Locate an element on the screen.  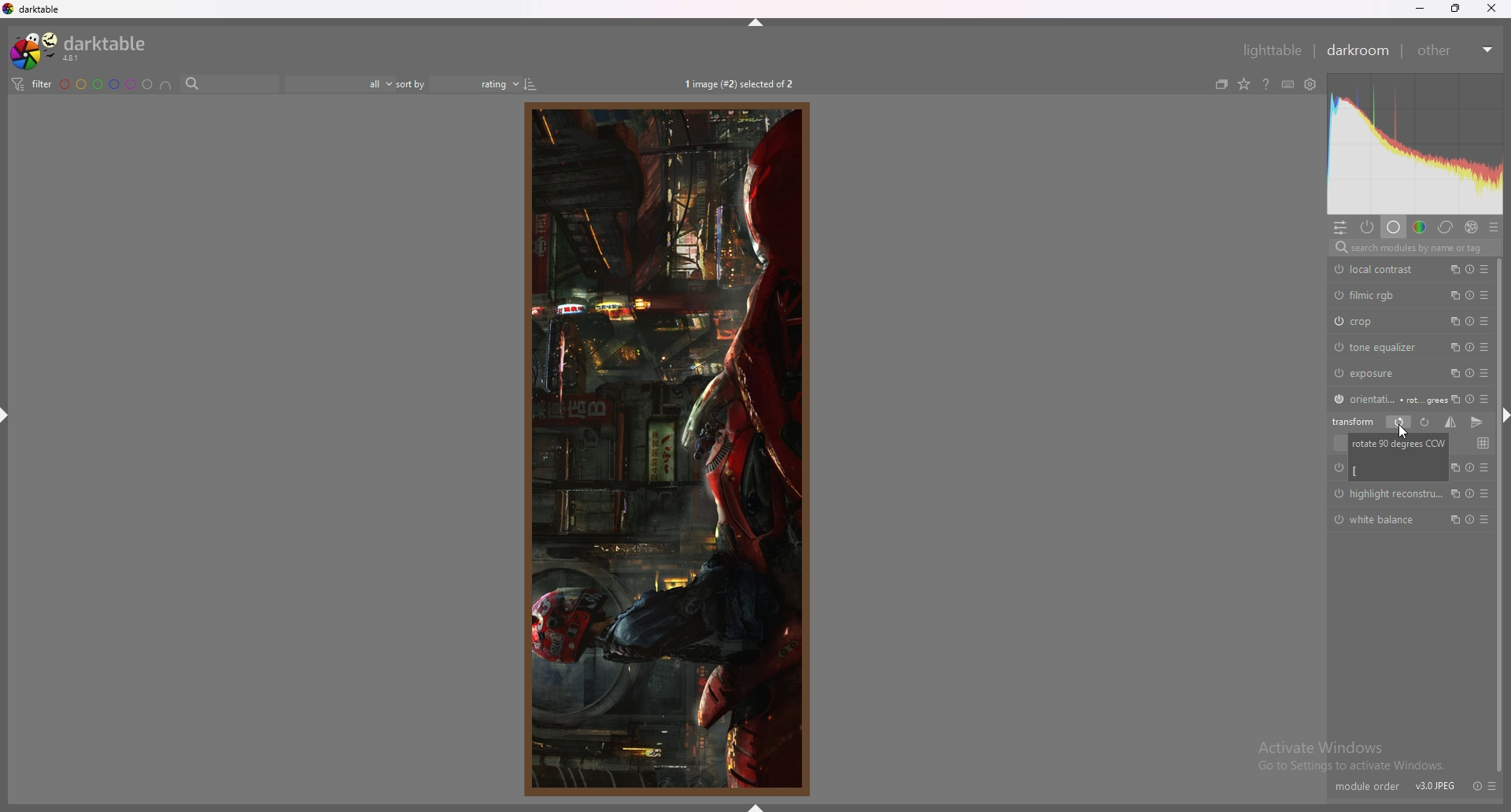
presets is located at coordinates (1487, 493).